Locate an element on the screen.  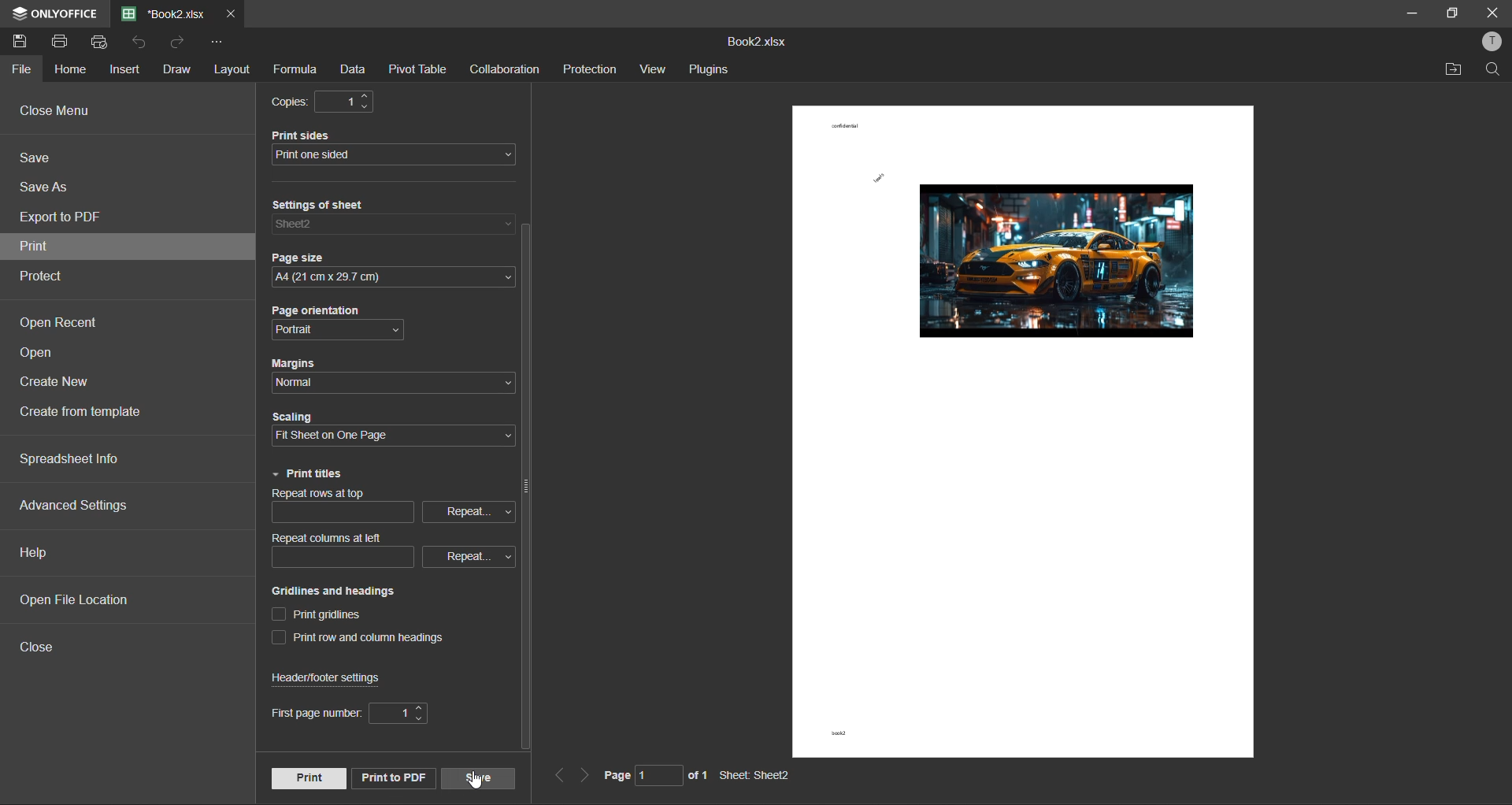
pivot table is located at coordinates (417, 70).